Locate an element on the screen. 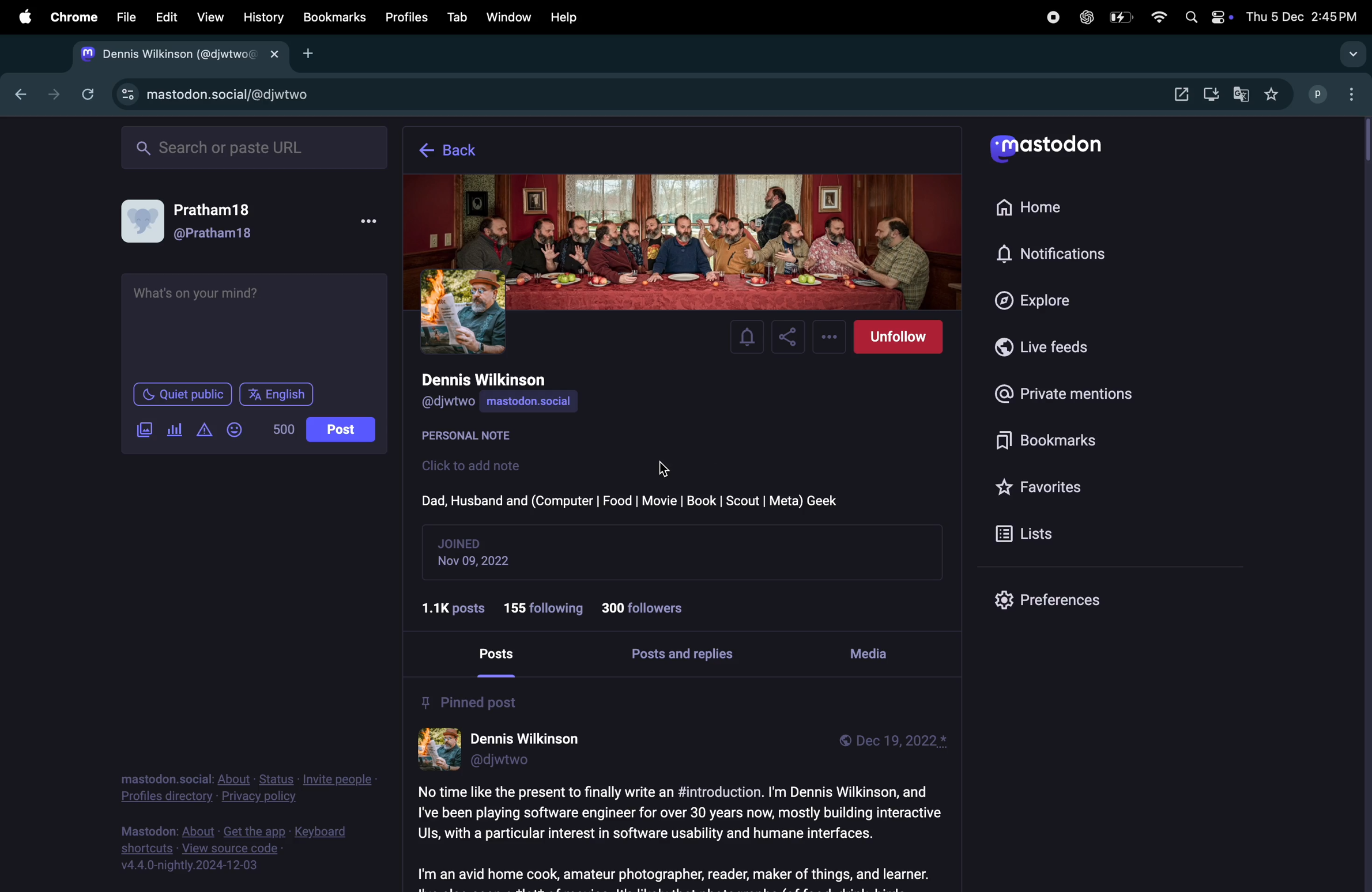 The image size is (1372, 892). date is located at coordinates (483, 562).